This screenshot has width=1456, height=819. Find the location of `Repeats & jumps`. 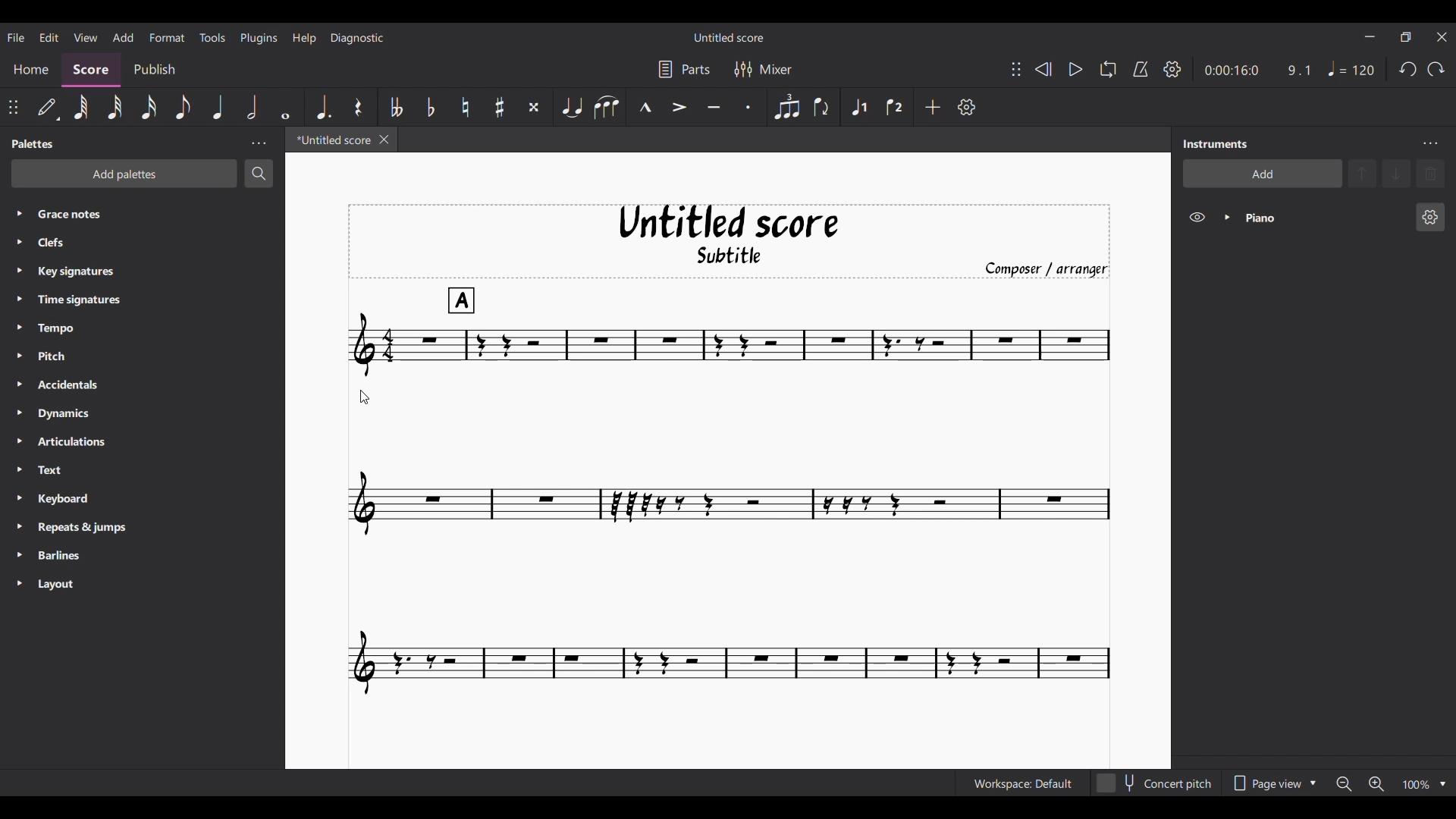

Repeats & jumps is located at coordinates (89, 527).